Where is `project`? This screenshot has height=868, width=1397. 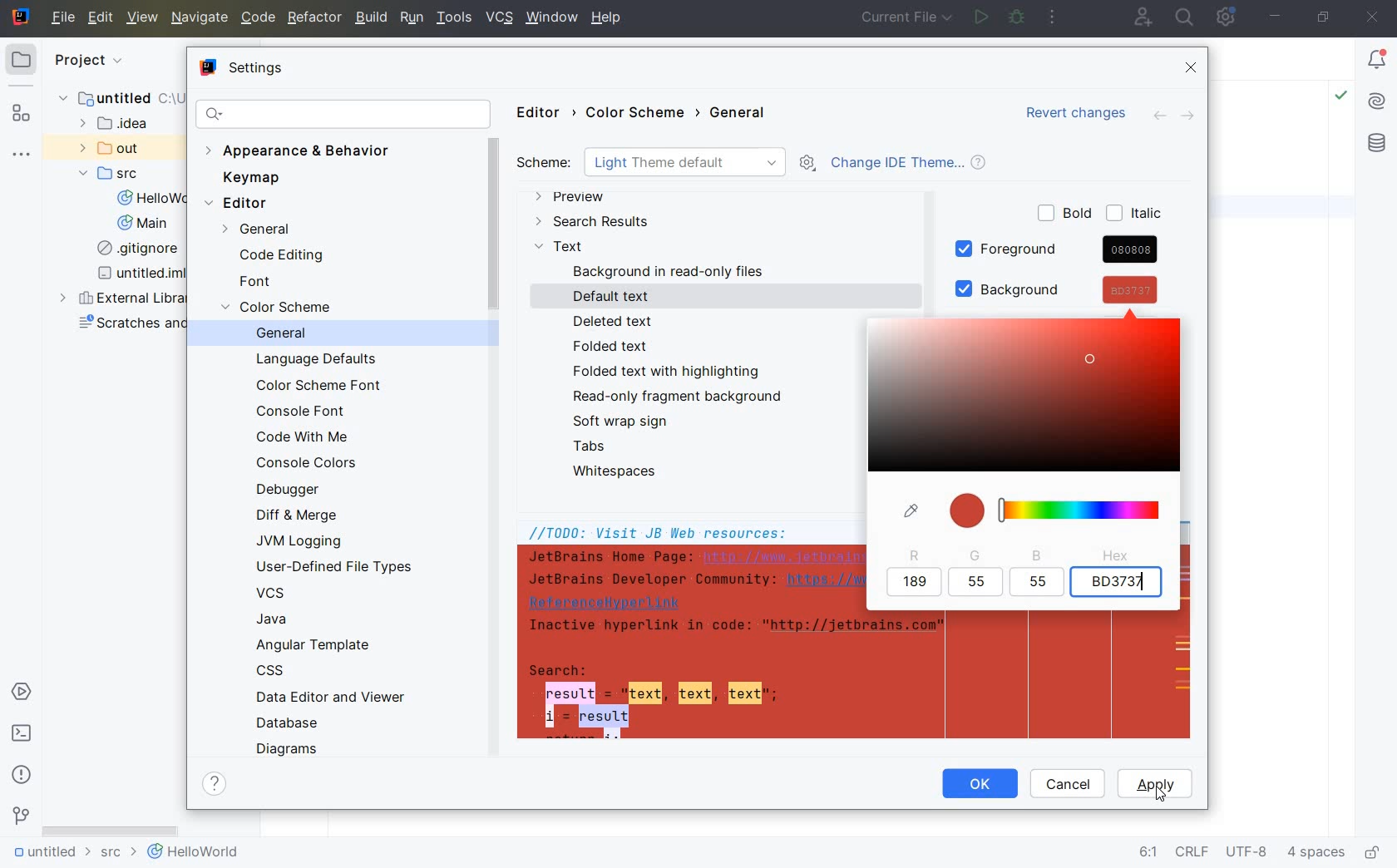 project is located at coordinates (58, 59).